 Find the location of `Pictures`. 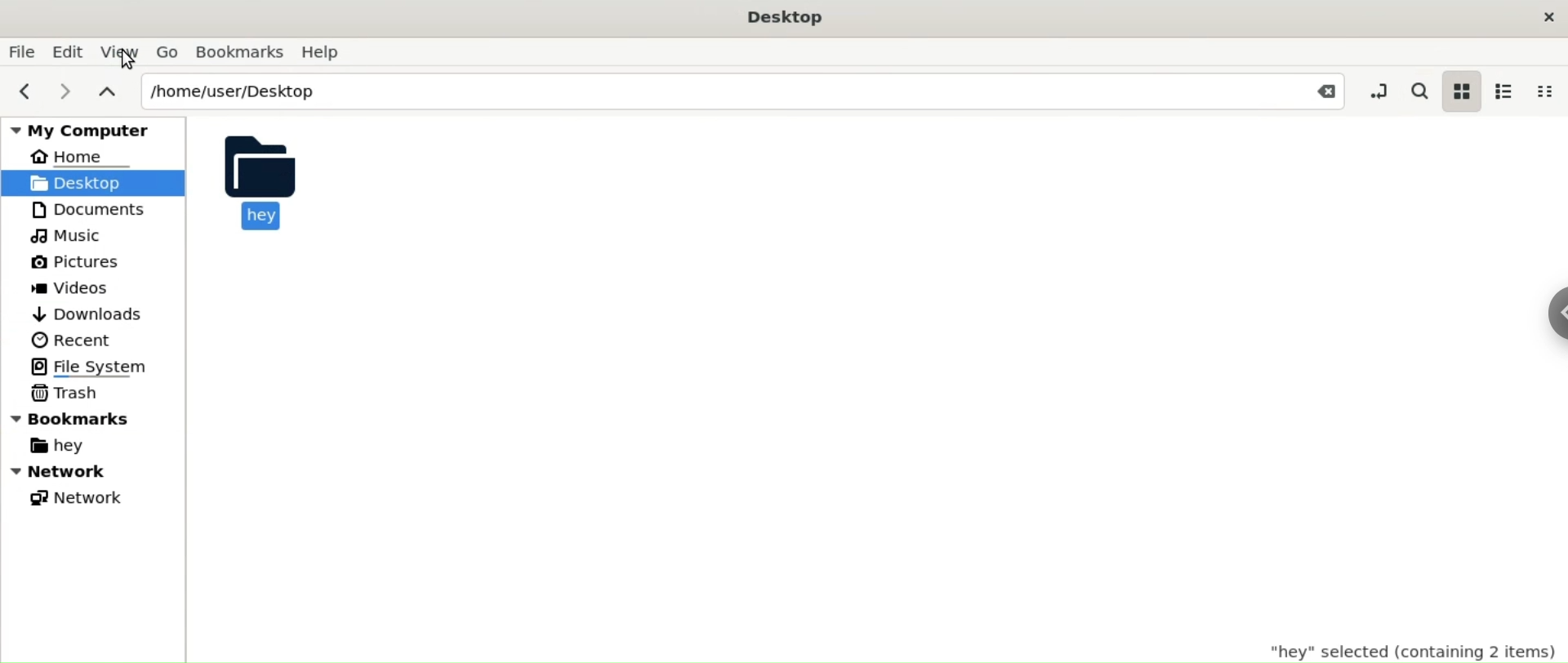

Pictures is located at coordinates (72, 262).